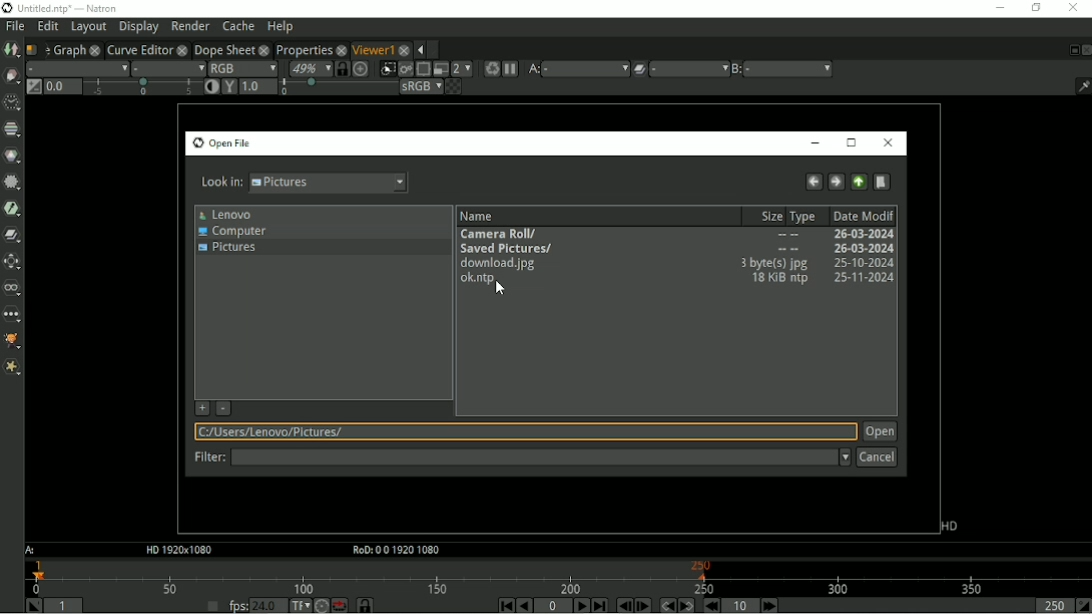  I want to click on Information bar, so click(1079, 85).